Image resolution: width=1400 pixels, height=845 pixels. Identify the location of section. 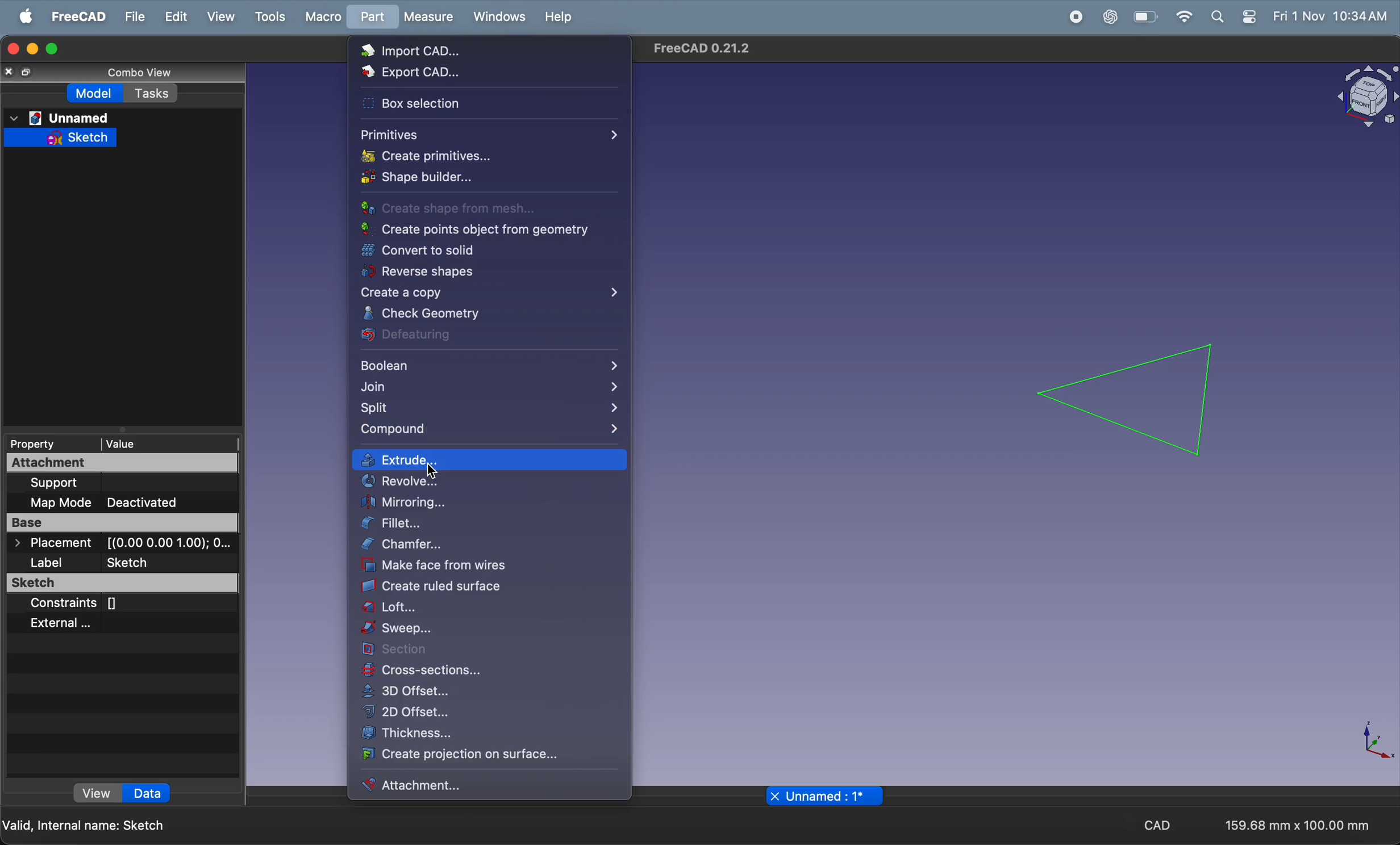
(488, 651).